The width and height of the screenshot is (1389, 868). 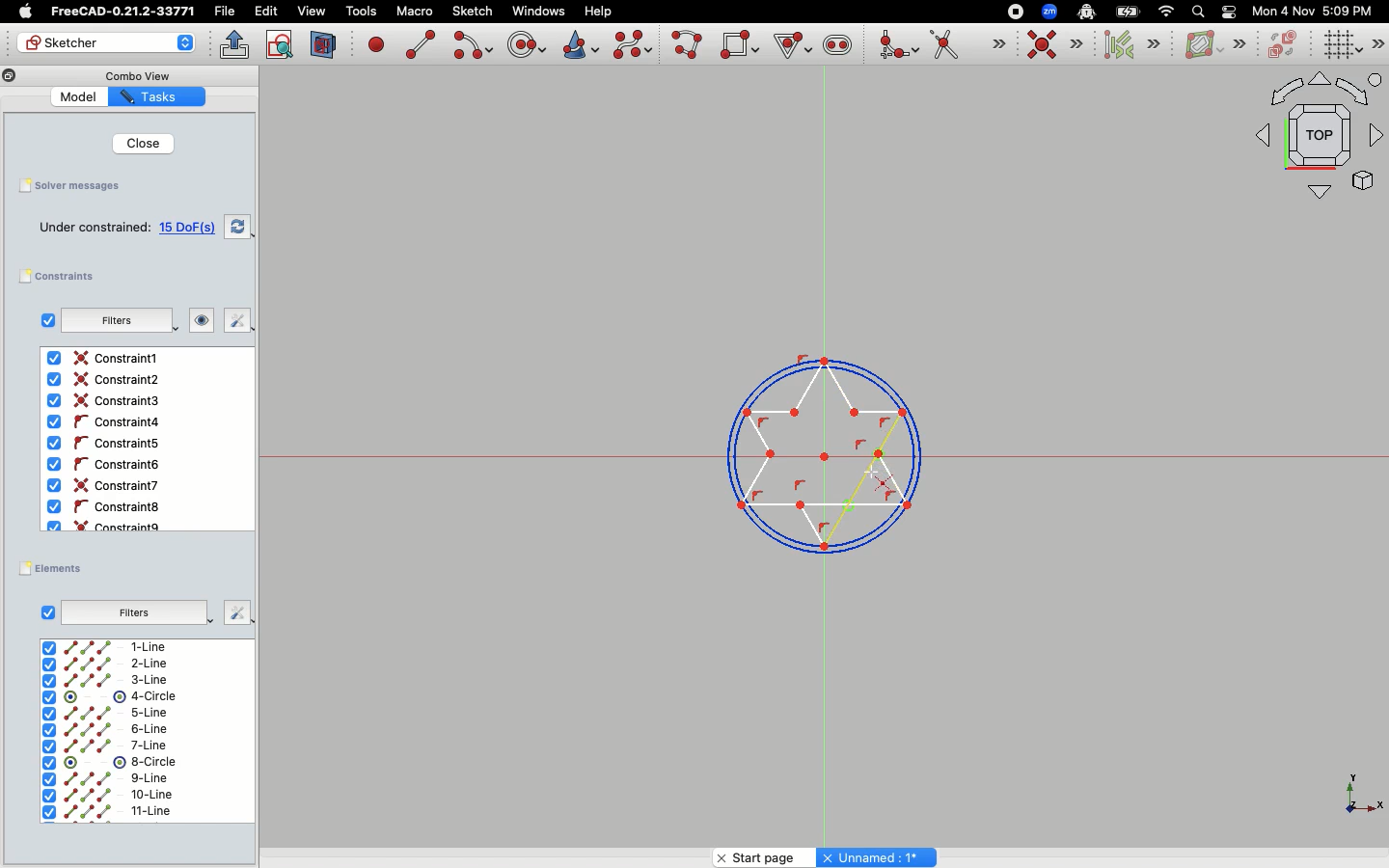 I want to click on Battery, so click(x=1129, y=11).